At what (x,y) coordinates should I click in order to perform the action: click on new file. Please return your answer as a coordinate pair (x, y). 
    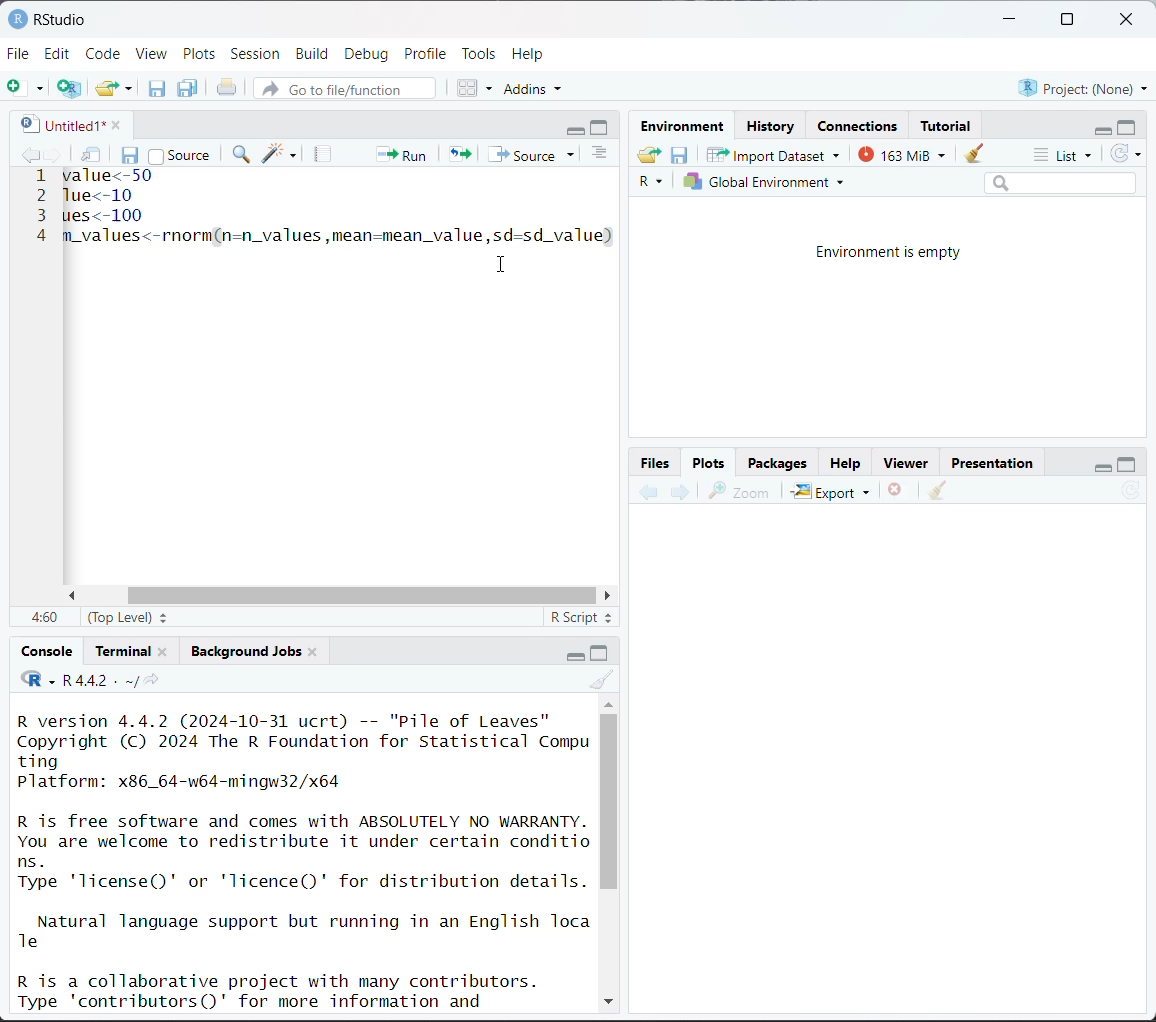
    Looking at the image, I should click on (25, 88).